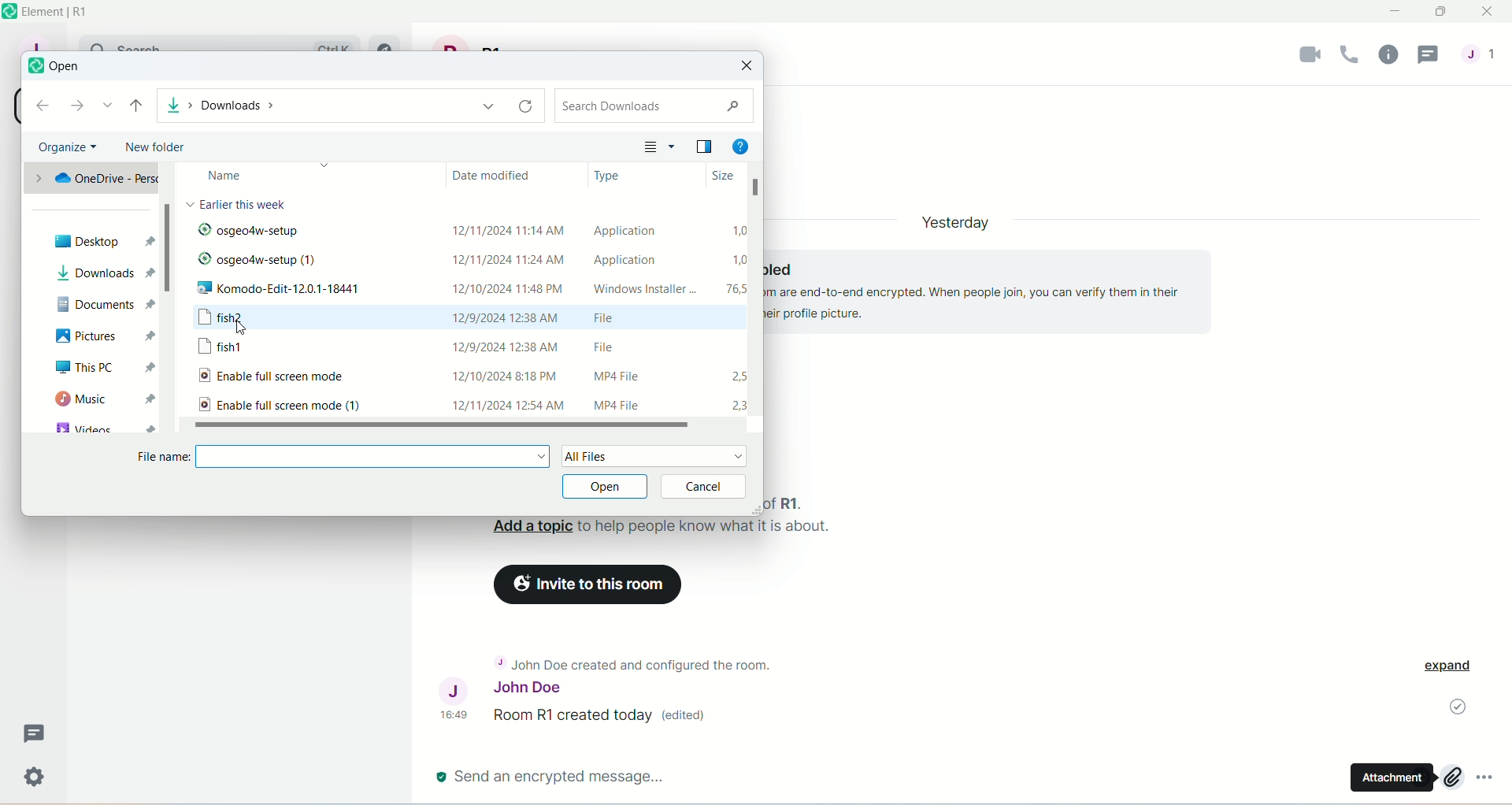 The width and height of the screenshot is (1512, 805). I want to click on invite to this room, so click(590, 584).